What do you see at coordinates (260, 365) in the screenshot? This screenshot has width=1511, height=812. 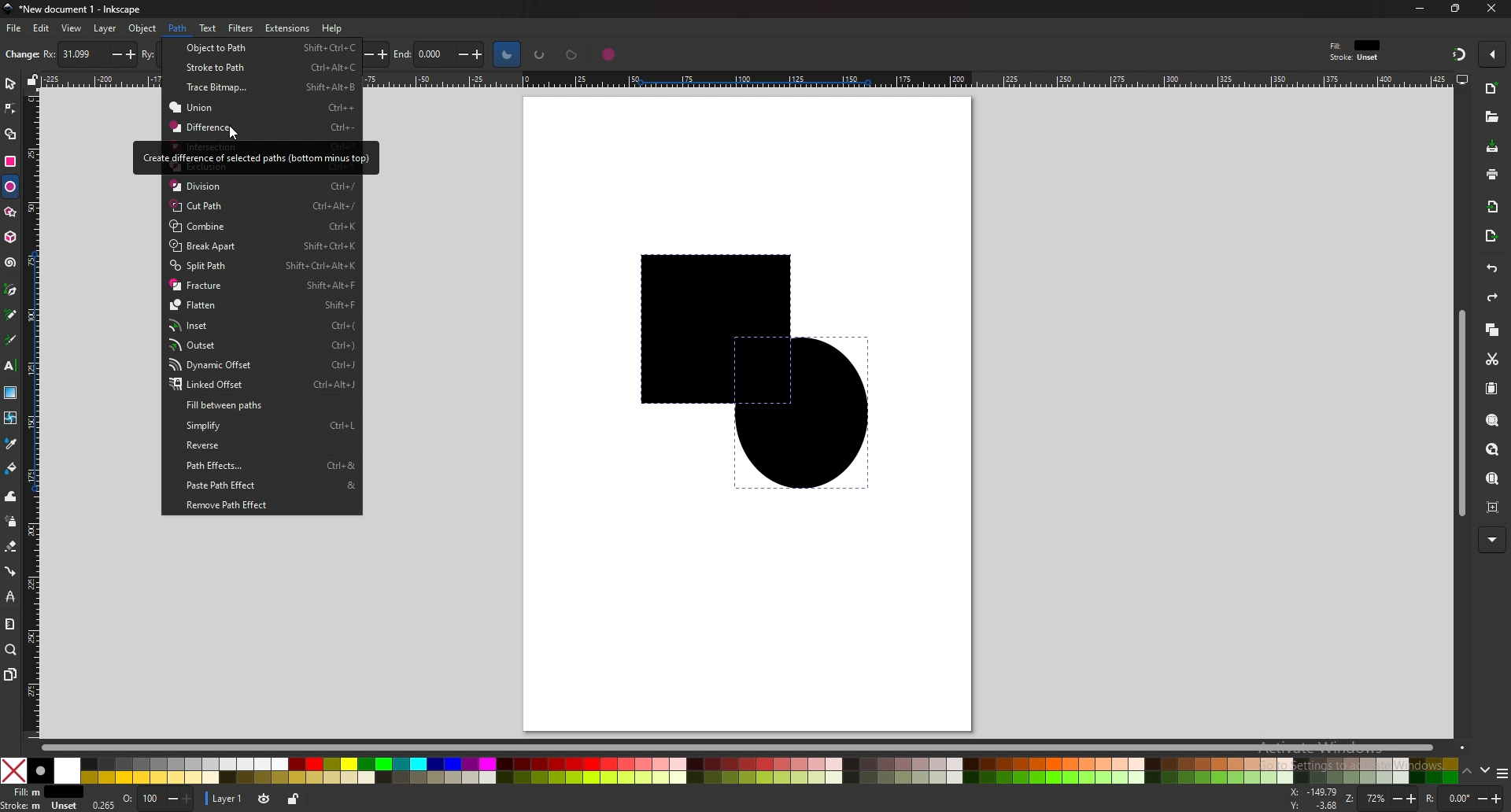 I see `Dynamic Offset` at bounding box center [260, 365].